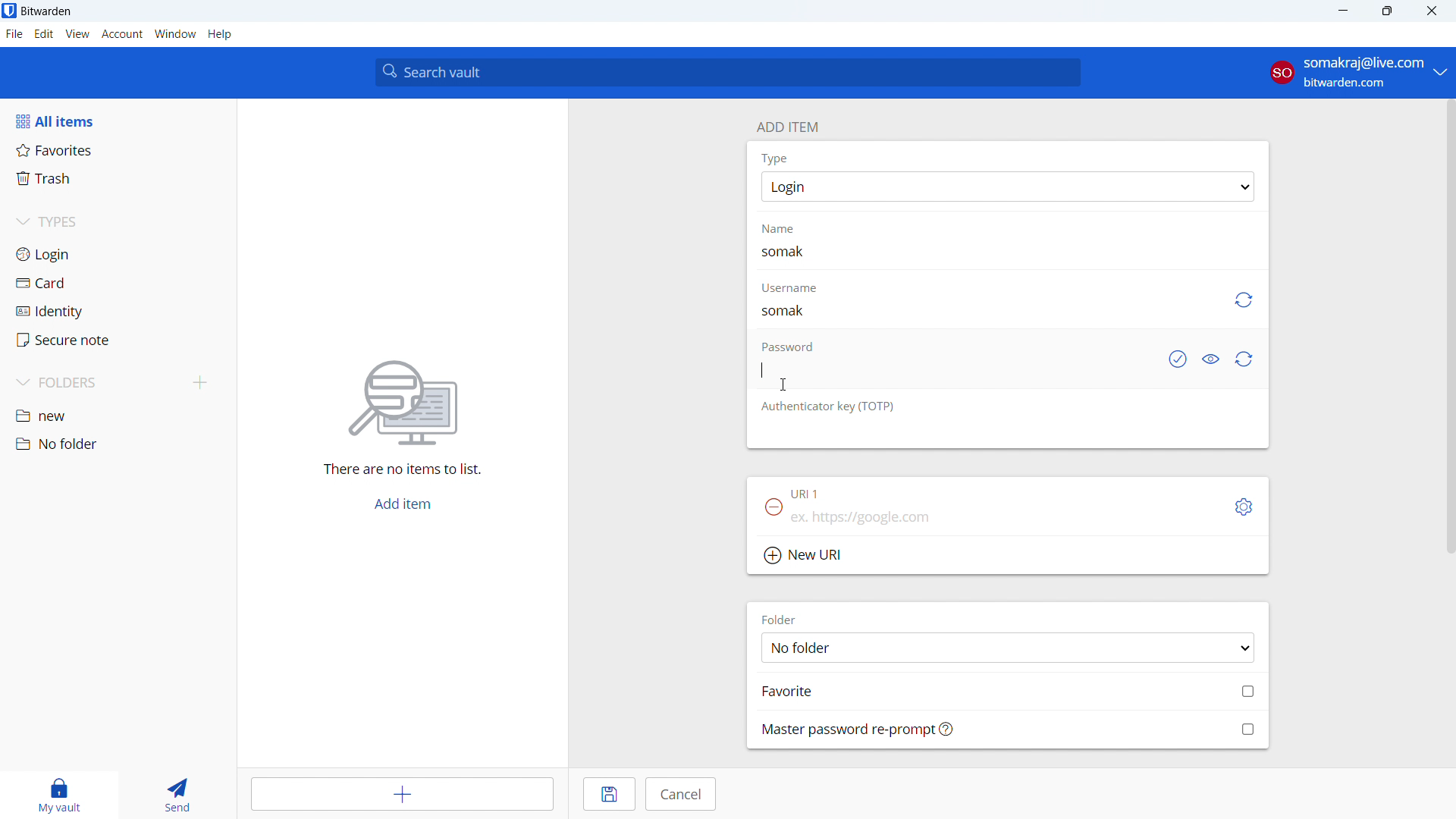  What do you see at coordinates (118, 340) in the screenshot?
I see `secure note` at bounding box center [118, 340].